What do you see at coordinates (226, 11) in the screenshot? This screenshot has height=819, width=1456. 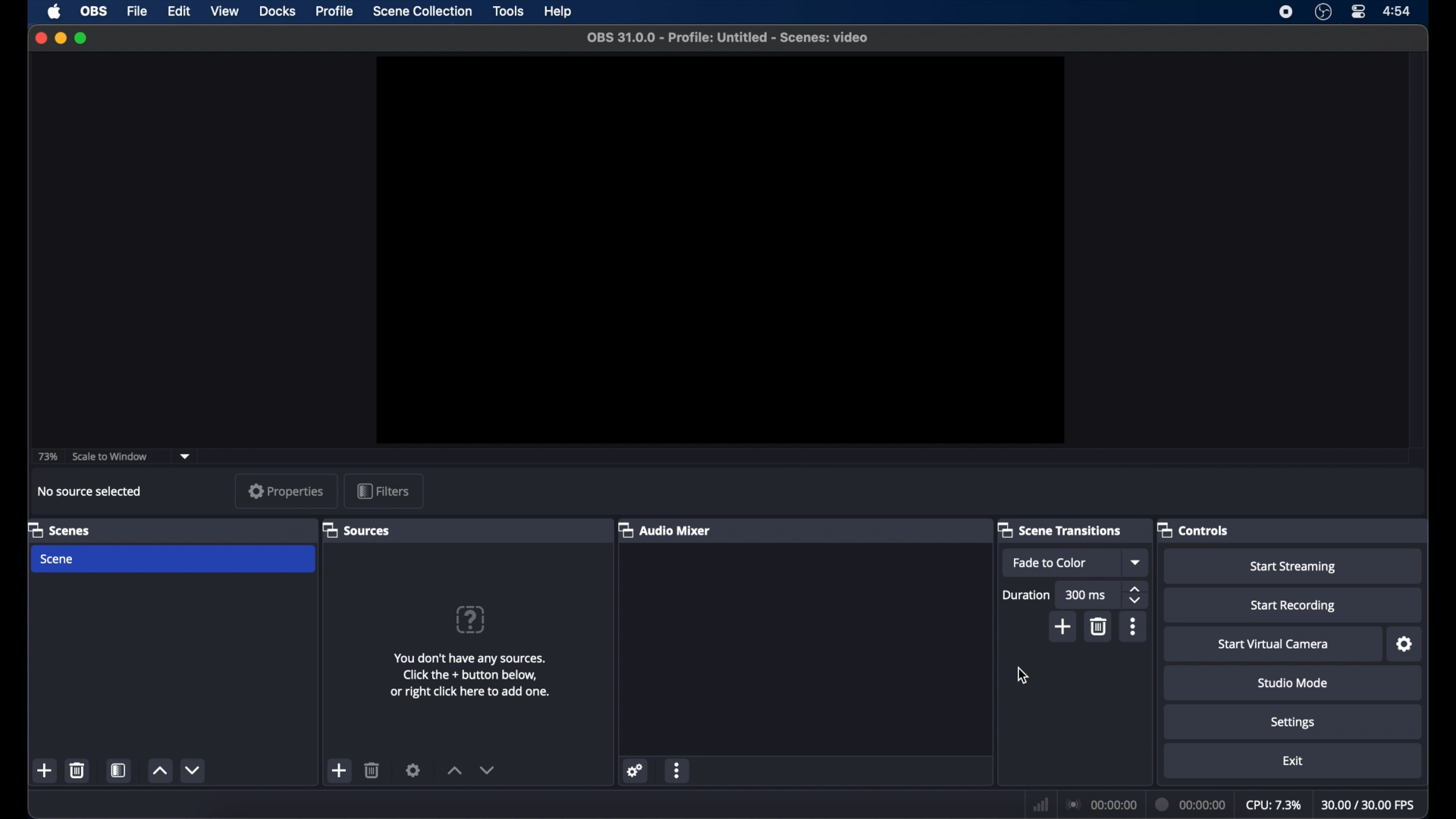 I see `view` at bounding box center [226, 11].